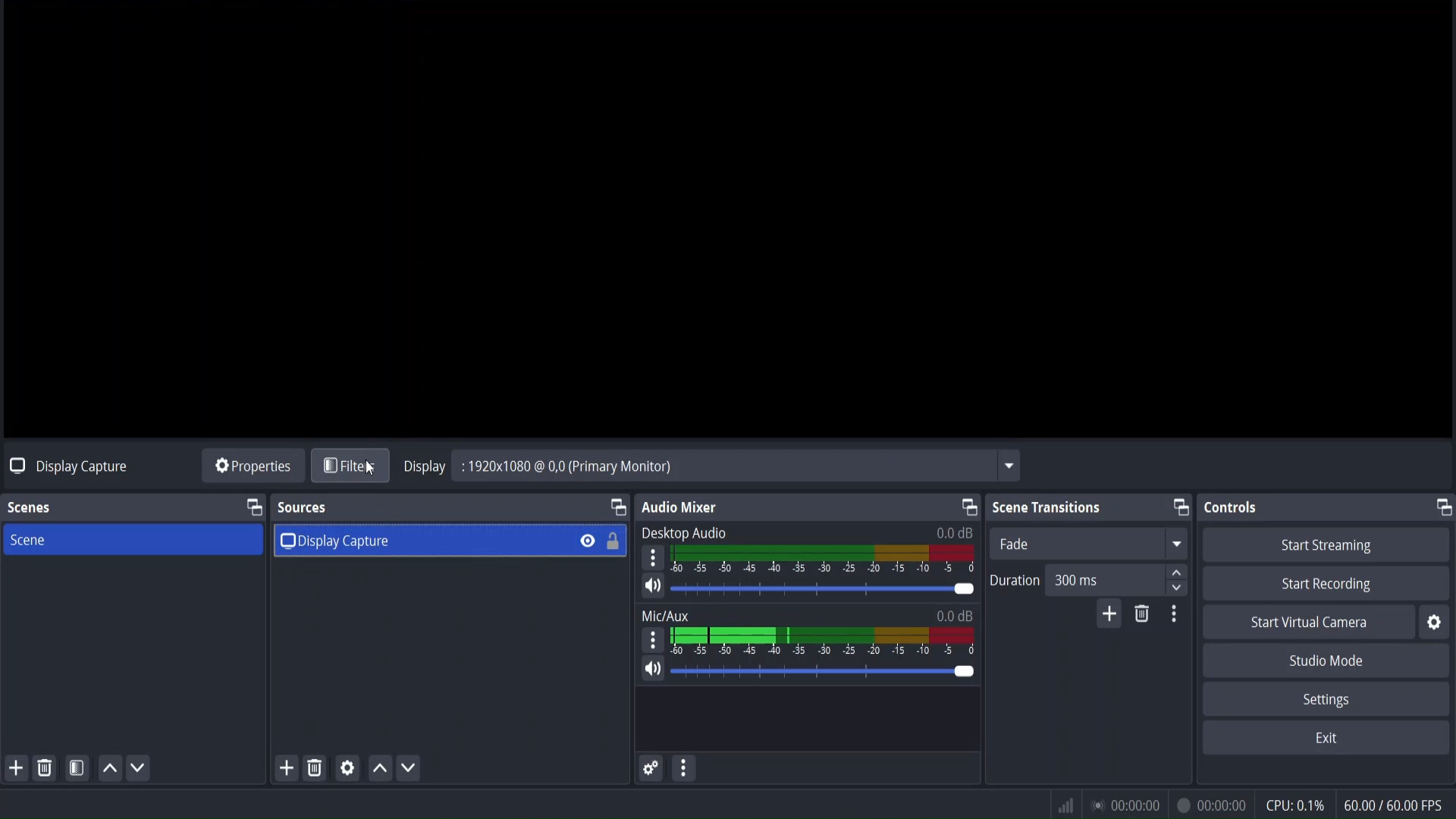 The width and height of the screenshot is (1456, 819). Describe the element at coordinates (1234, 507) in the screenshot. I see `controls` at that location.